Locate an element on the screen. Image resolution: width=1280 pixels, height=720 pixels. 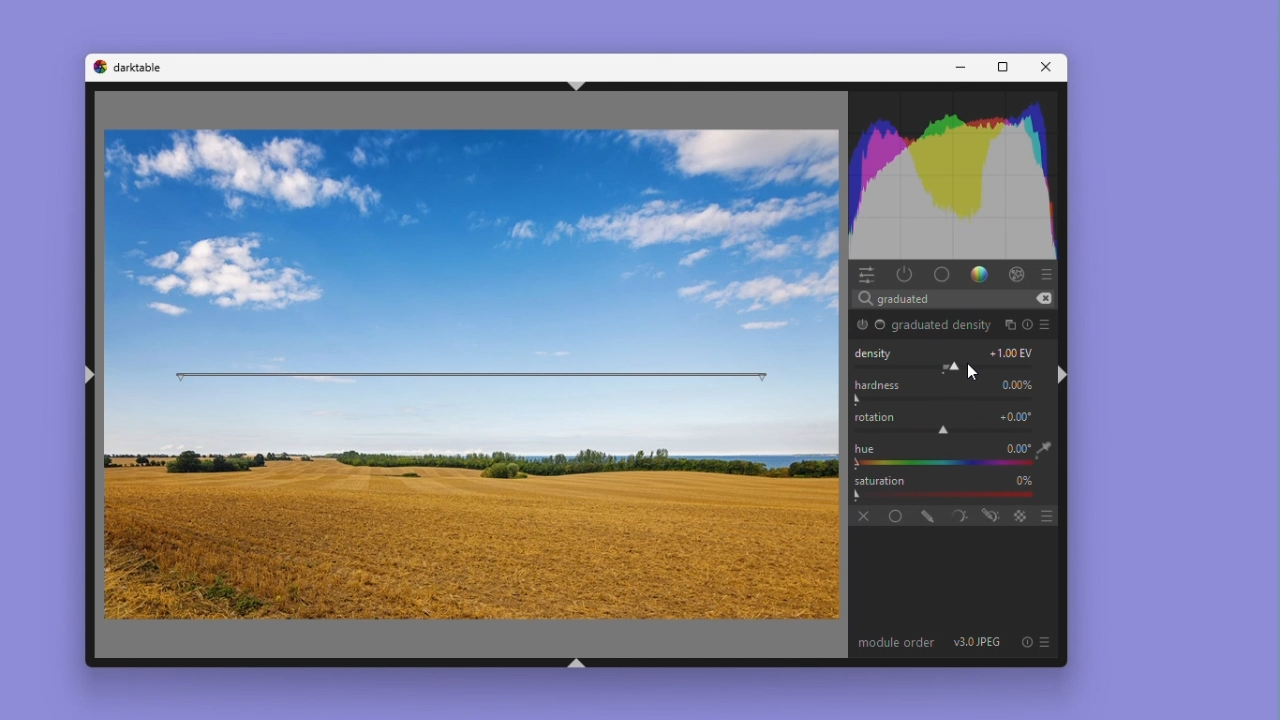
graduated density is located at coordinates (862, 324).